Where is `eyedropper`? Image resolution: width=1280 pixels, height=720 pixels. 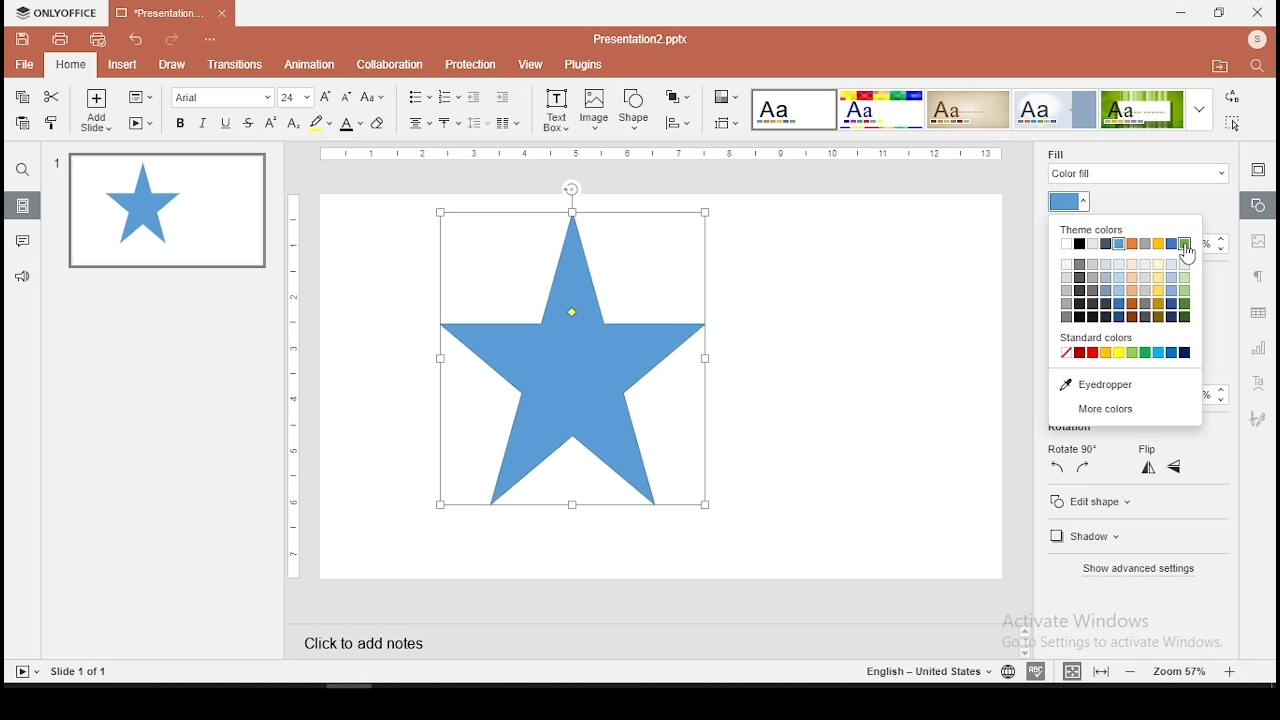
eyedropper is located at coordinates (1126, 384).